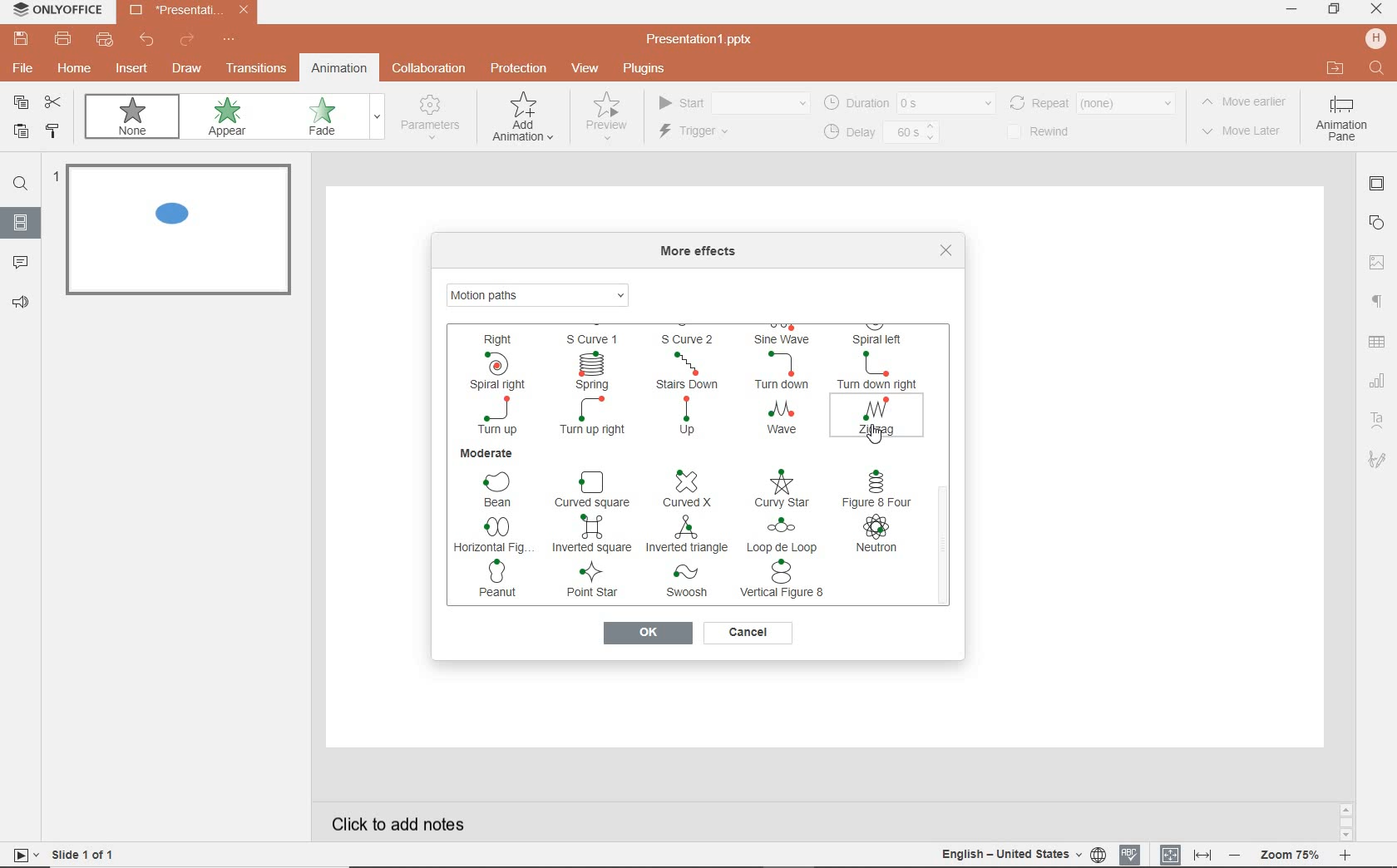 The image size is (1397, 868). I want to click on move later, so click(1246, 132).